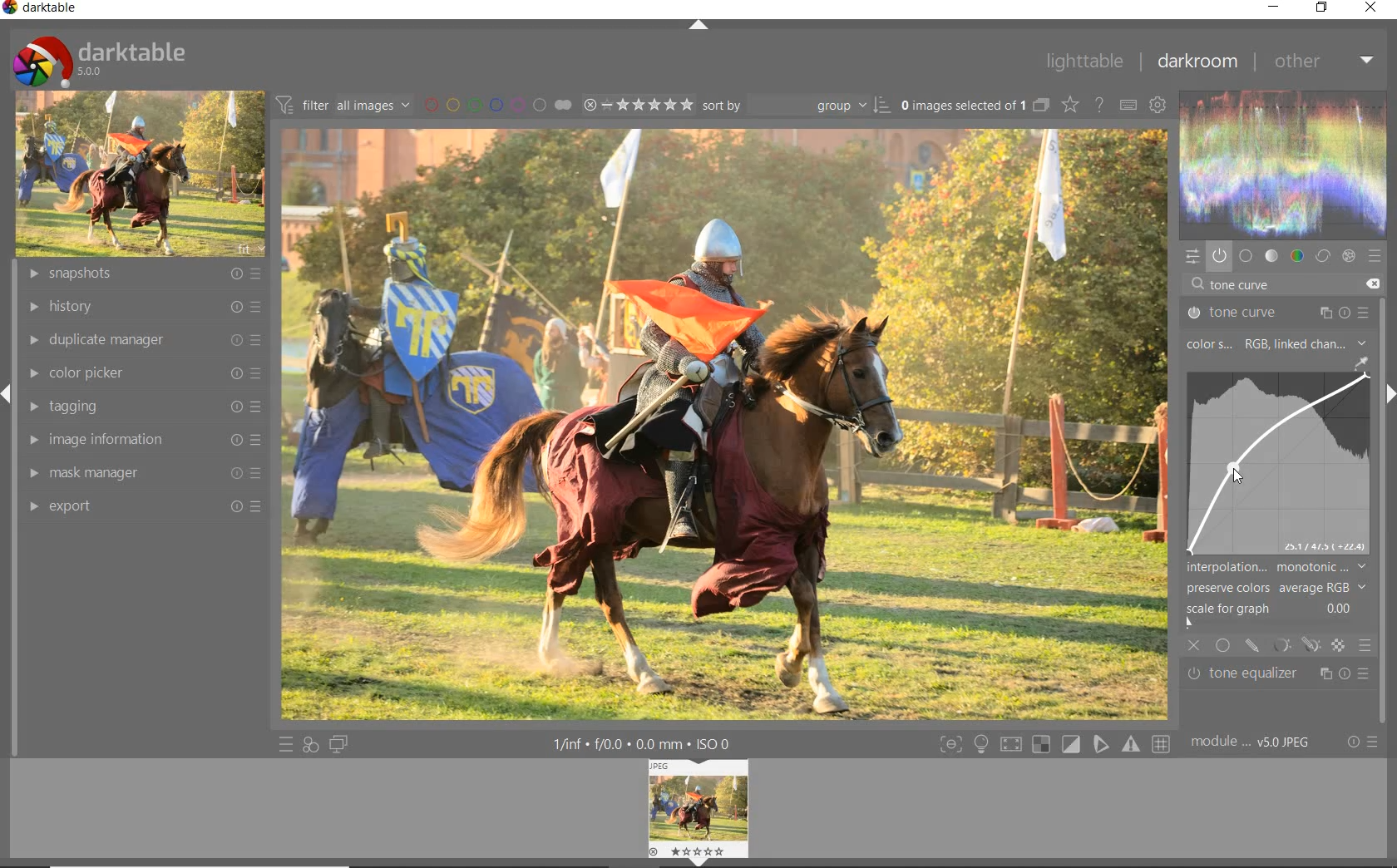  Describe the element at coordinates (1051, 744) in the screenshot. I see `toggle modes` at that location.